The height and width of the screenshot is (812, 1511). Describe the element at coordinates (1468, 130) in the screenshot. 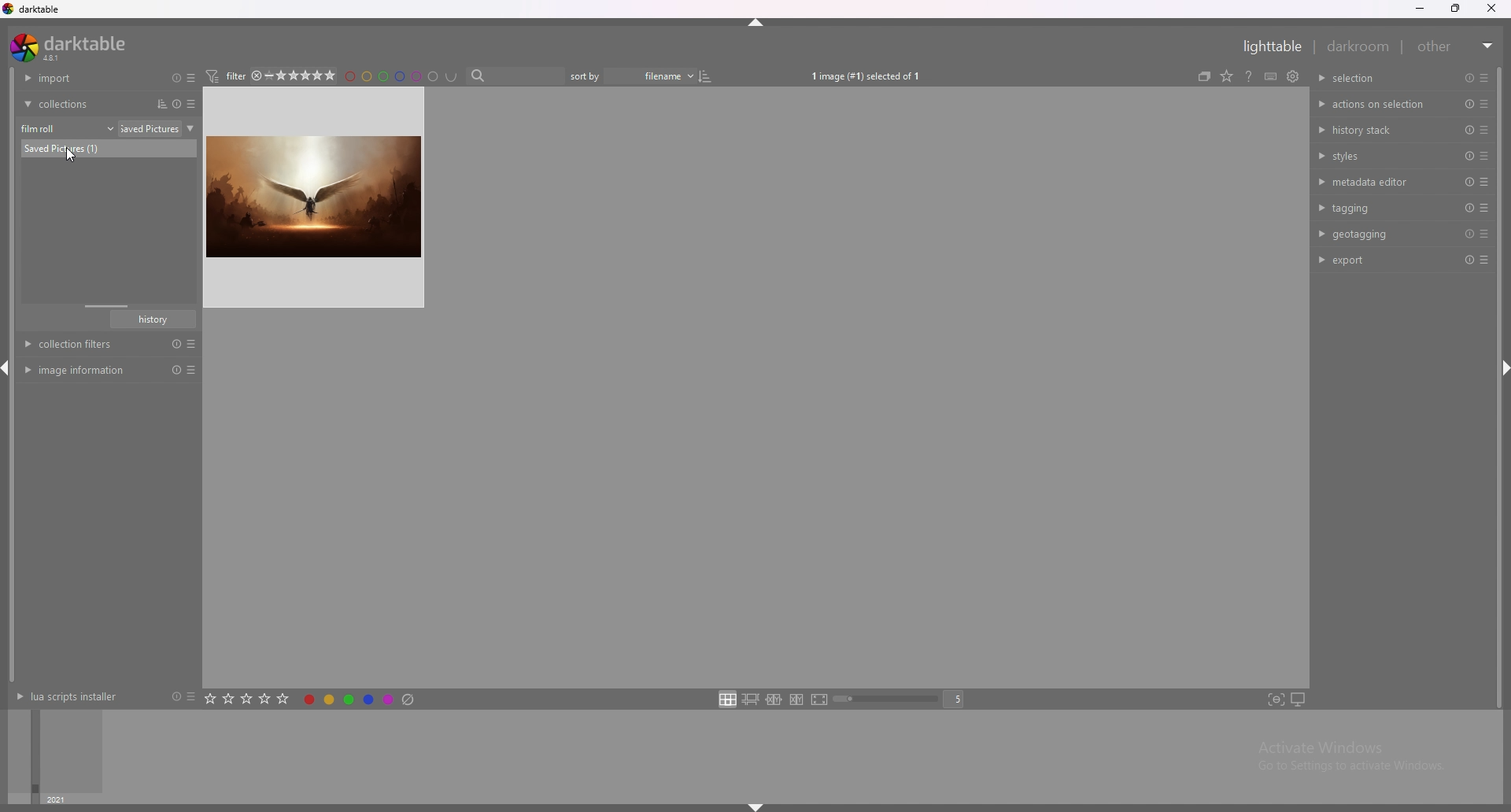

I see `preset` at that location.